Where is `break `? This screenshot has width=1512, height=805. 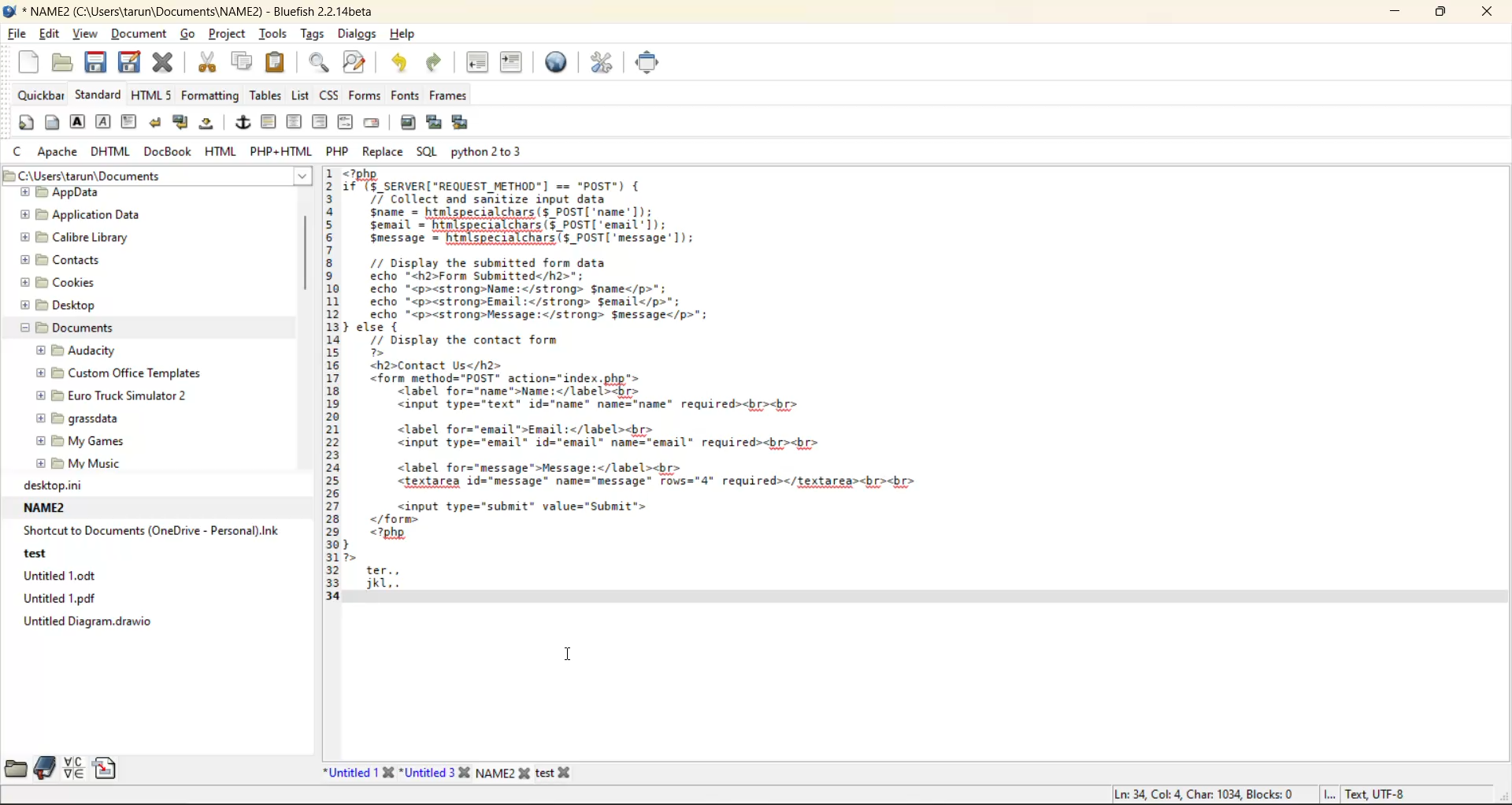 break  is located at coordinates (155, 123).